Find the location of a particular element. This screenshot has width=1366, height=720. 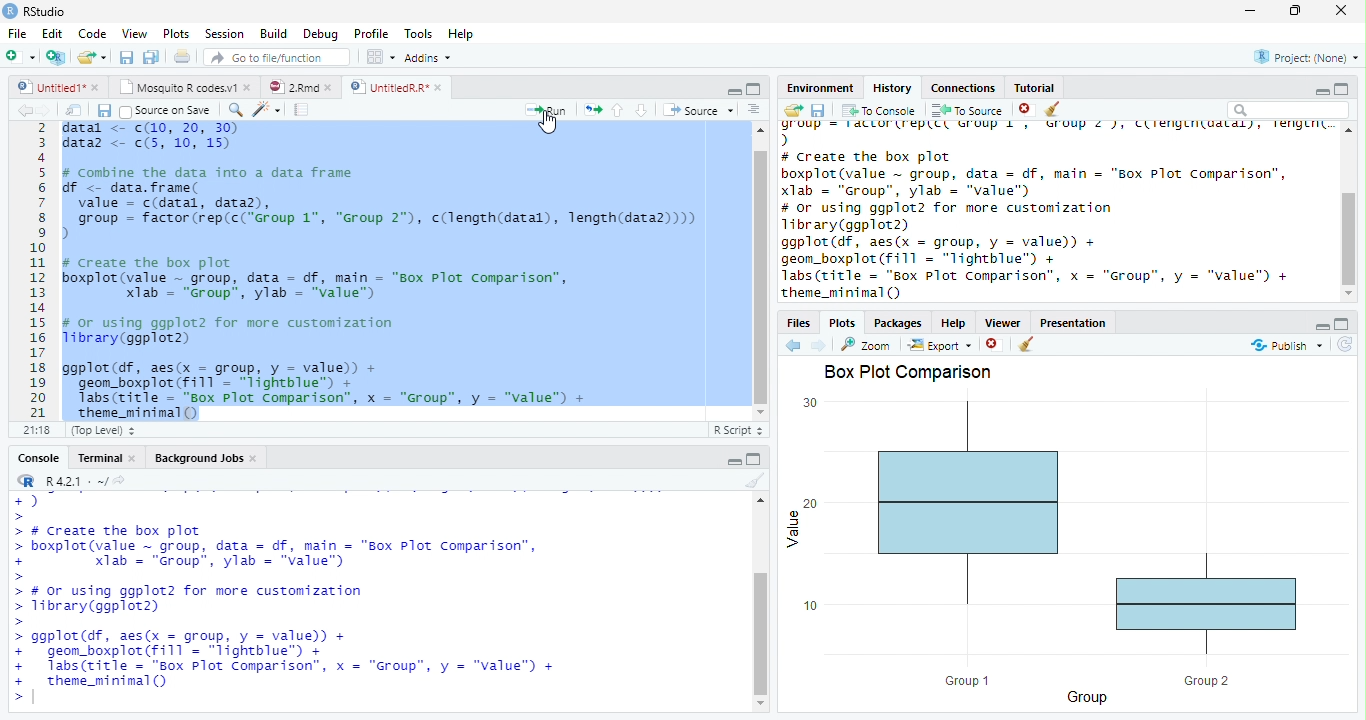

close is located at coordinates (132, 457).